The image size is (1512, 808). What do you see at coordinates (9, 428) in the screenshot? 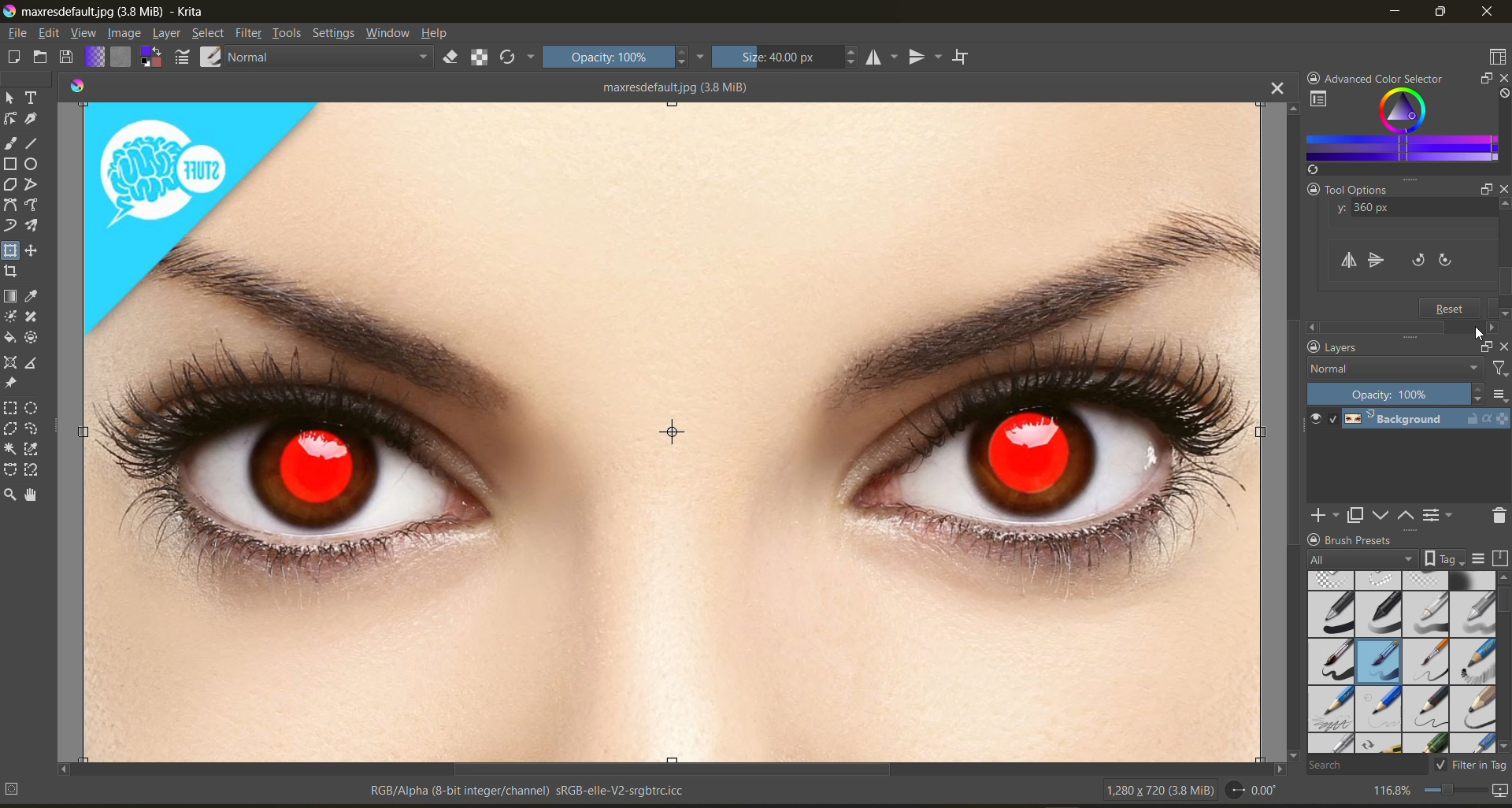
I see `tool` at bounding box center [9, 428].